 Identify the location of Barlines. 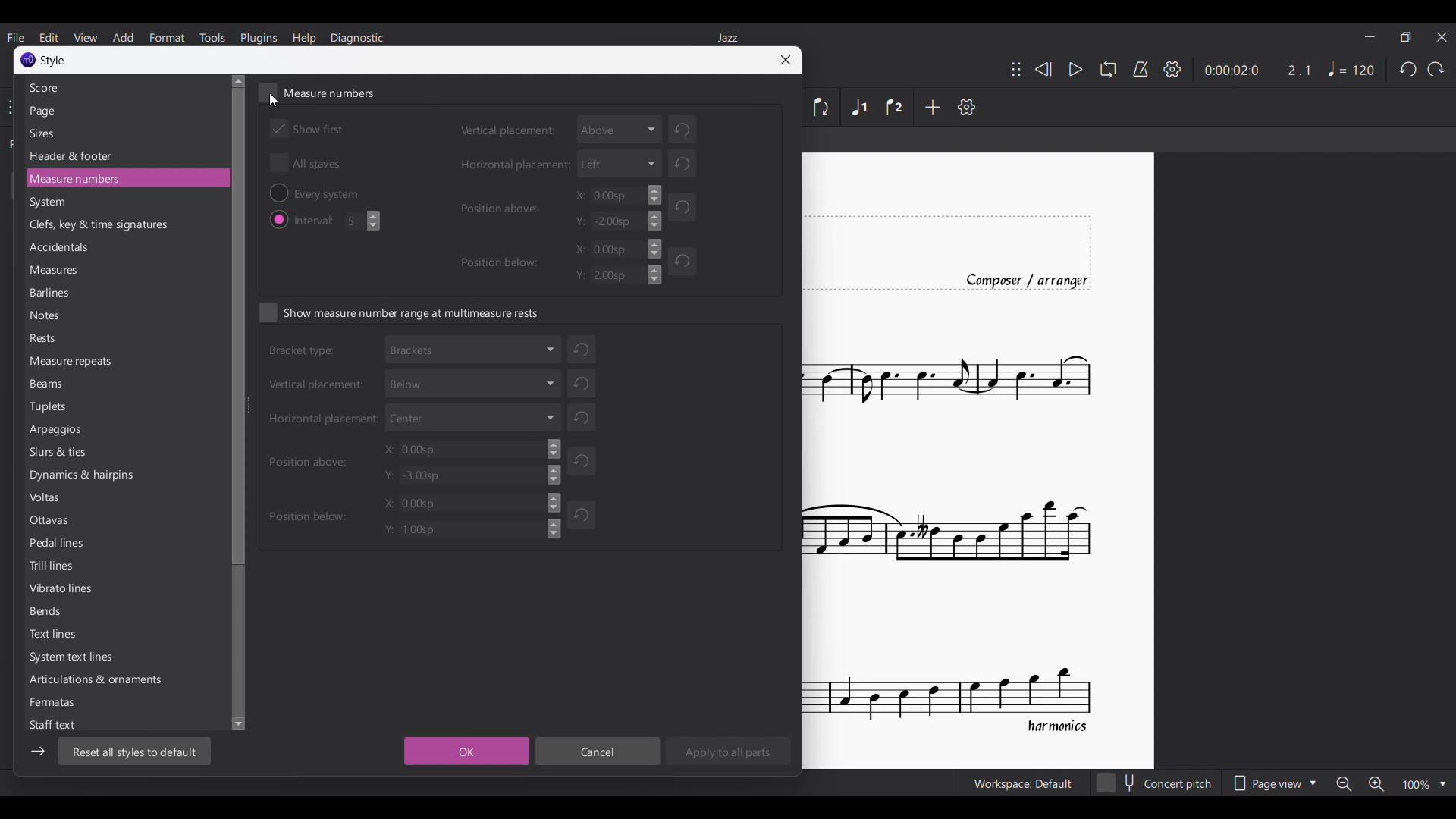
(53, 295).